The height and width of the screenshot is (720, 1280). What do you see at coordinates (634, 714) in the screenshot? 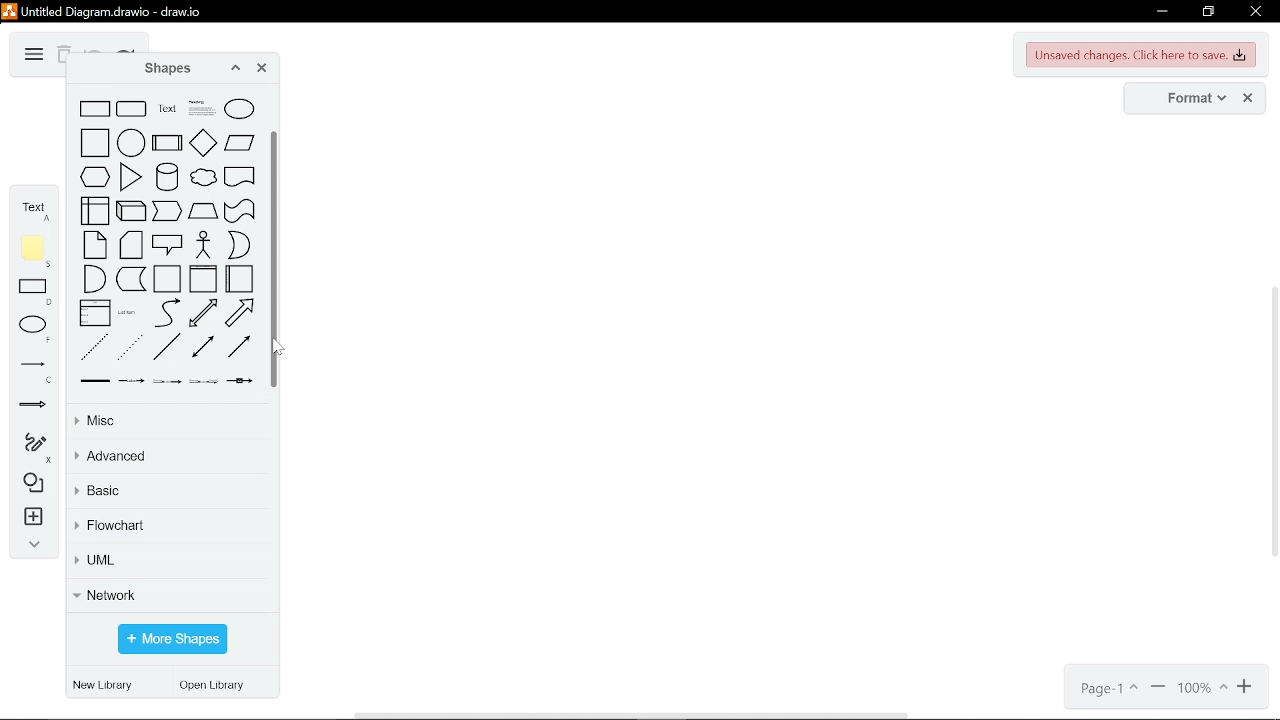
I see `horizontal scroll bar` at bounding box center [634, 714].